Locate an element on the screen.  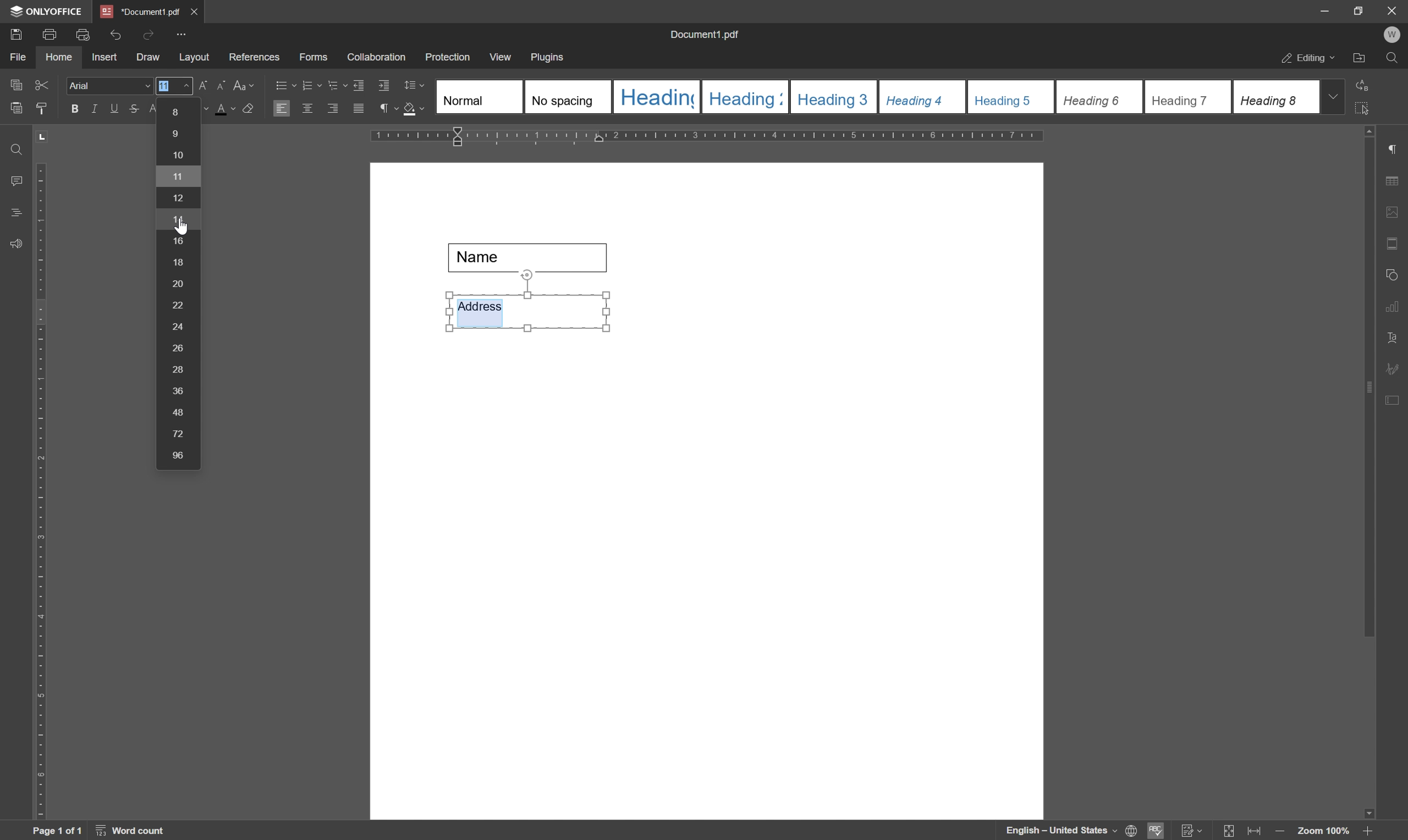
strikethrough is located at coordinates (133, 110).